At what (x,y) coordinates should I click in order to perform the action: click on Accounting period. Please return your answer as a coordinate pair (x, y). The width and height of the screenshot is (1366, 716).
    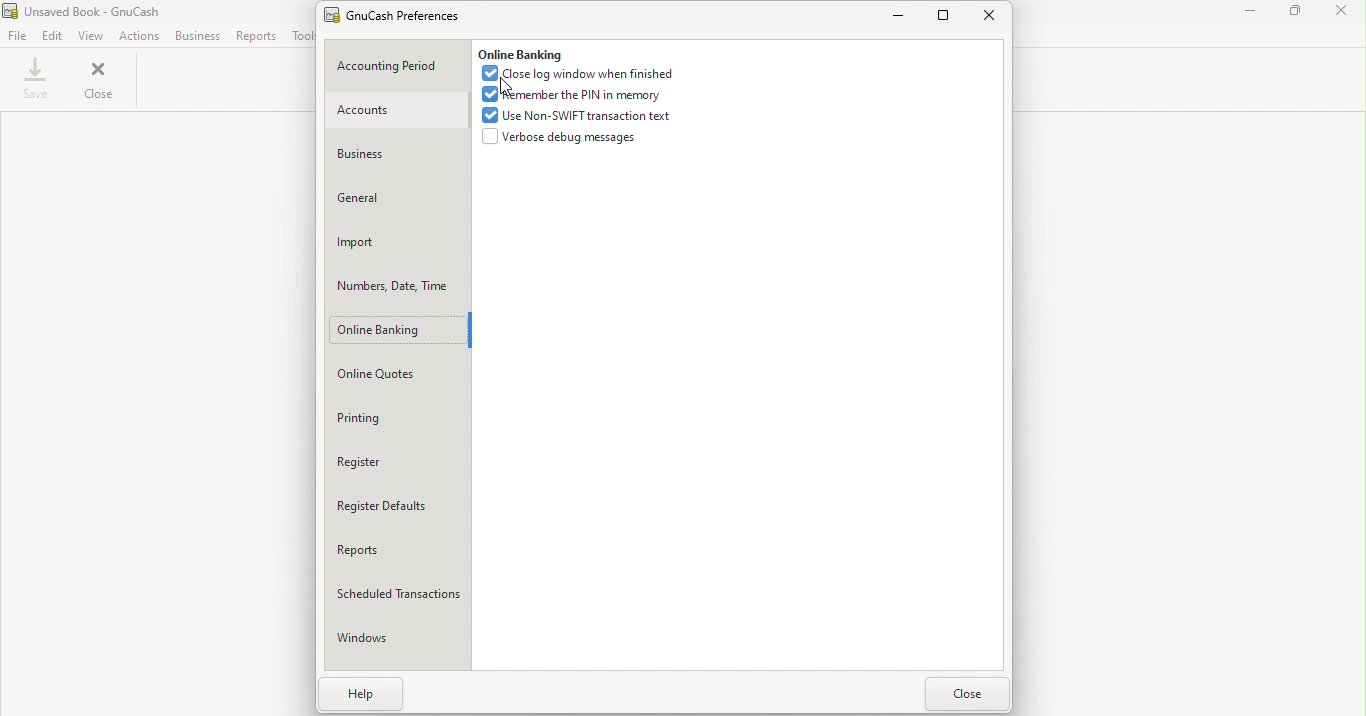
    Looking at the image, I should click on (397, 67).